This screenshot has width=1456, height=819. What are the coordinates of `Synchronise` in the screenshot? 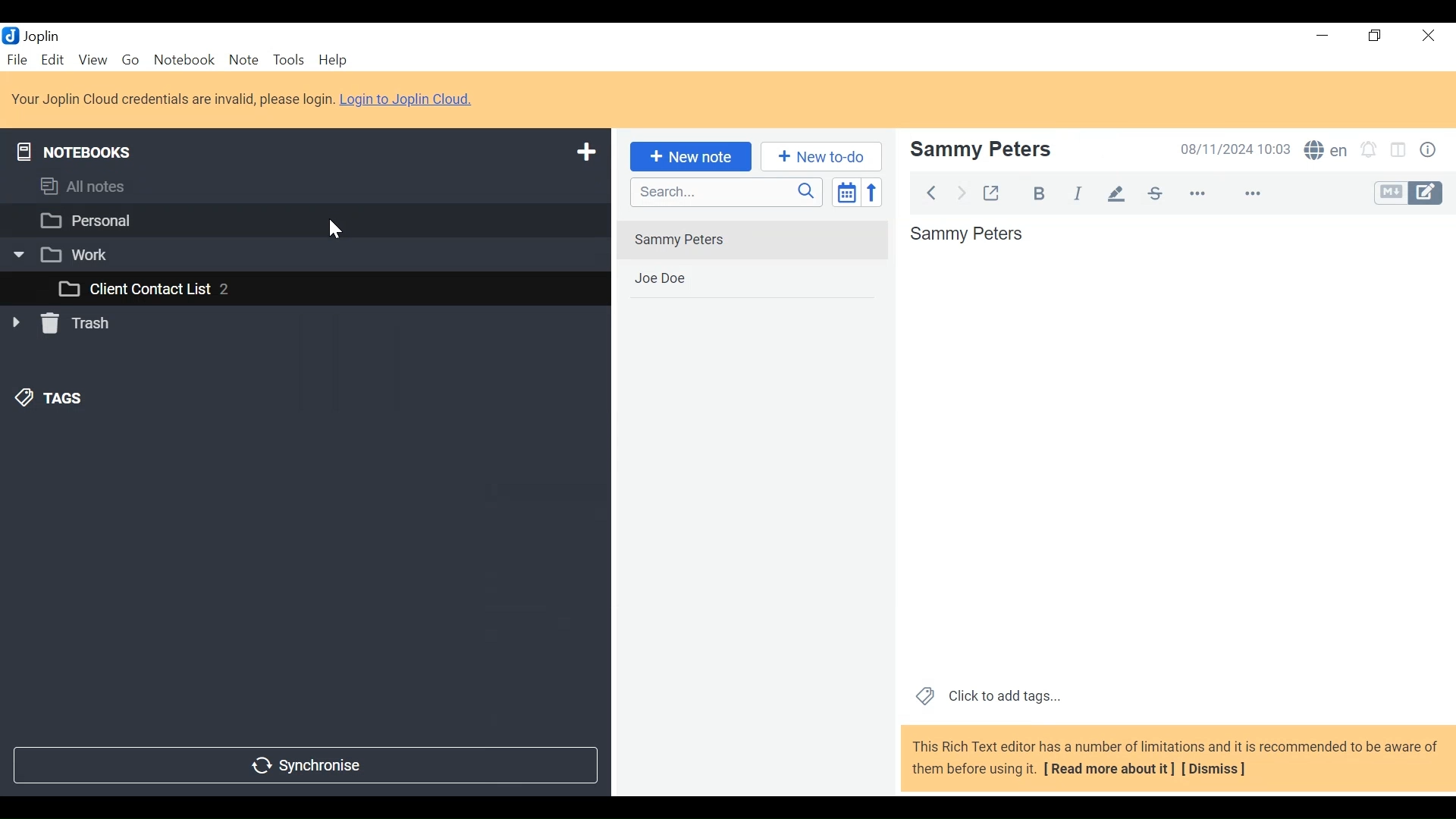 It's located at (308, 765).